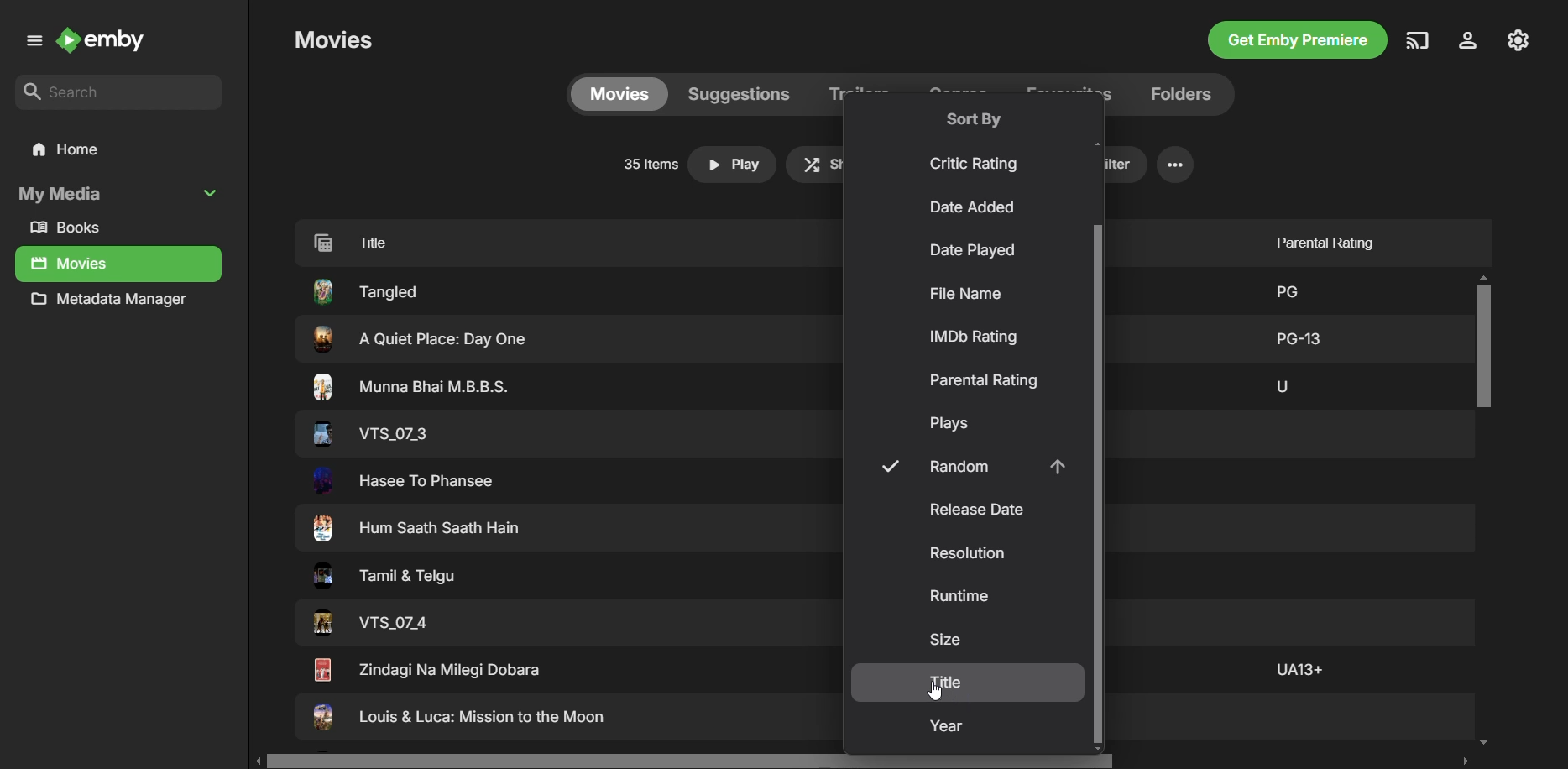 This screenshot has height=769, width=1568. Describe the element at coordinates (114, 303) in the screenshot. I see `Metadata Manager` at that location.